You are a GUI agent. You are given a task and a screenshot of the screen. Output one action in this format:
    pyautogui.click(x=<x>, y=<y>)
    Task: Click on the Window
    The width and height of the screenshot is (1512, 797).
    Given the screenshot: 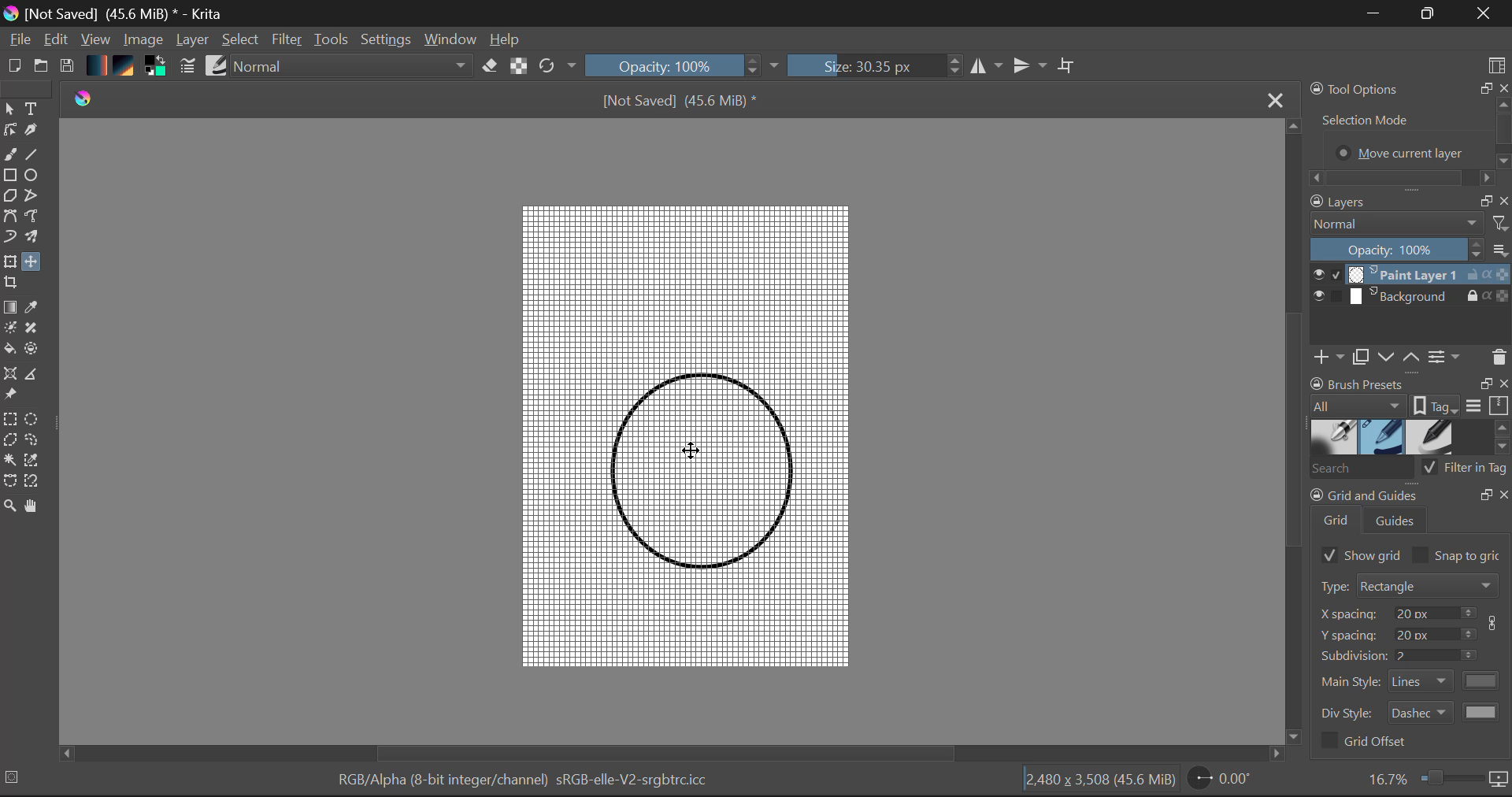 What is the action you would take?
    pyautogui.click(x=453, y=40)
    